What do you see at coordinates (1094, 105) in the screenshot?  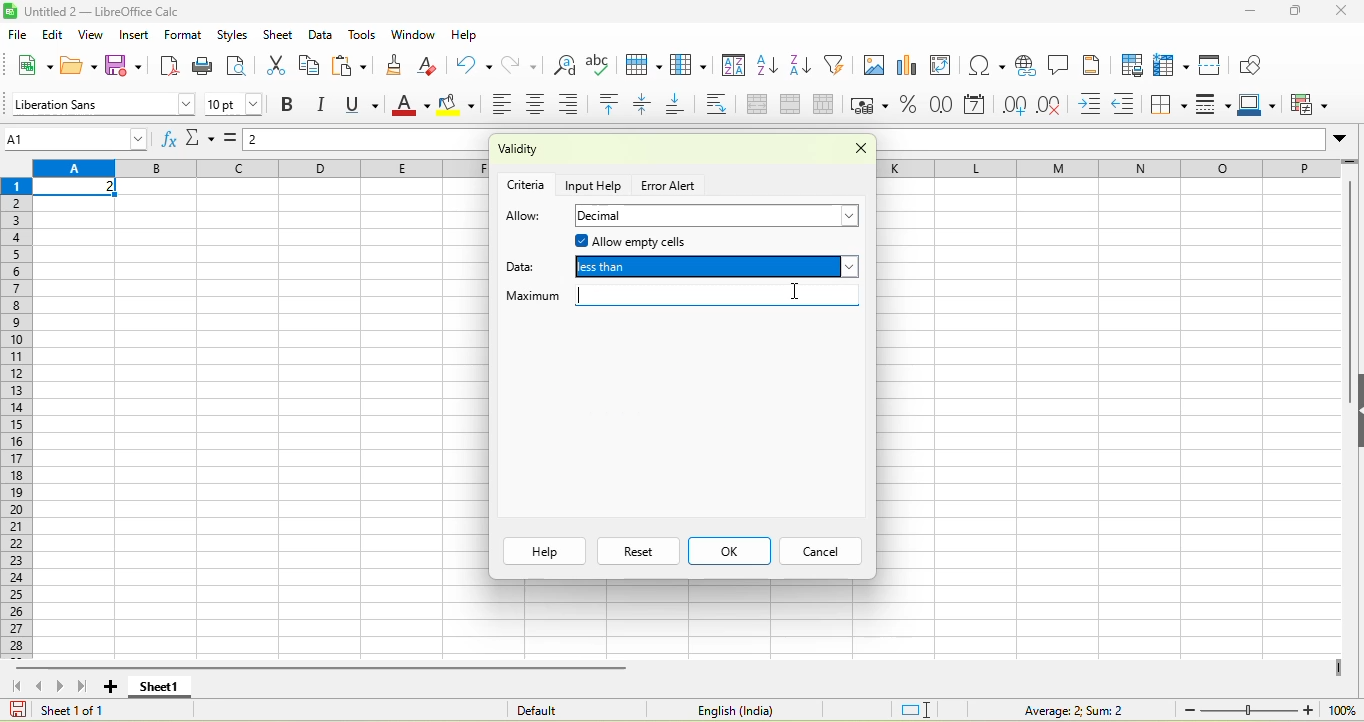 I see `increase indent` at bounding box center [1094, 105].